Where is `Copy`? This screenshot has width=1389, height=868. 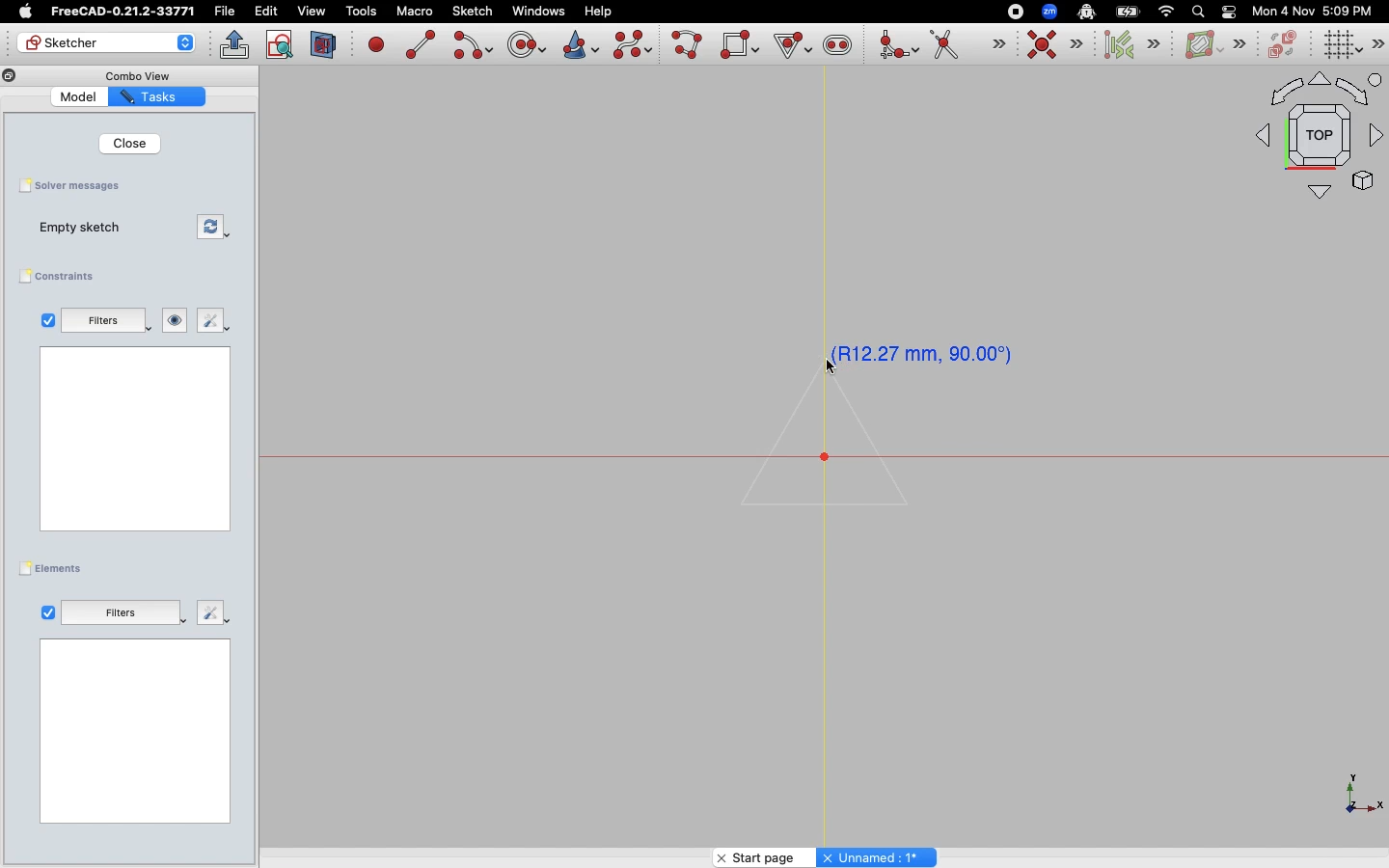 Copy is located at coordinates (10, 78).